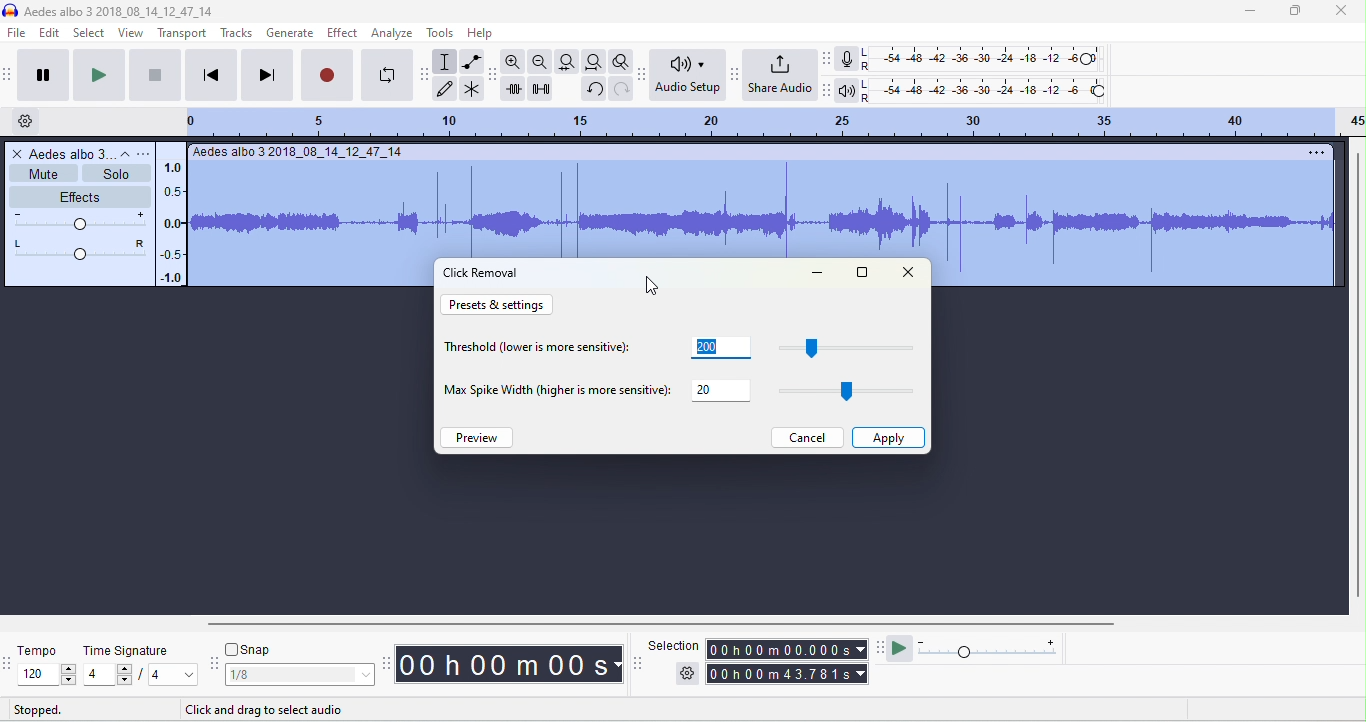 The width and height of the screenshot is (1366, 722). What do you see at coordinates (910, 271) in the screenshot?
I see `close` at bounding box center [910, 271].